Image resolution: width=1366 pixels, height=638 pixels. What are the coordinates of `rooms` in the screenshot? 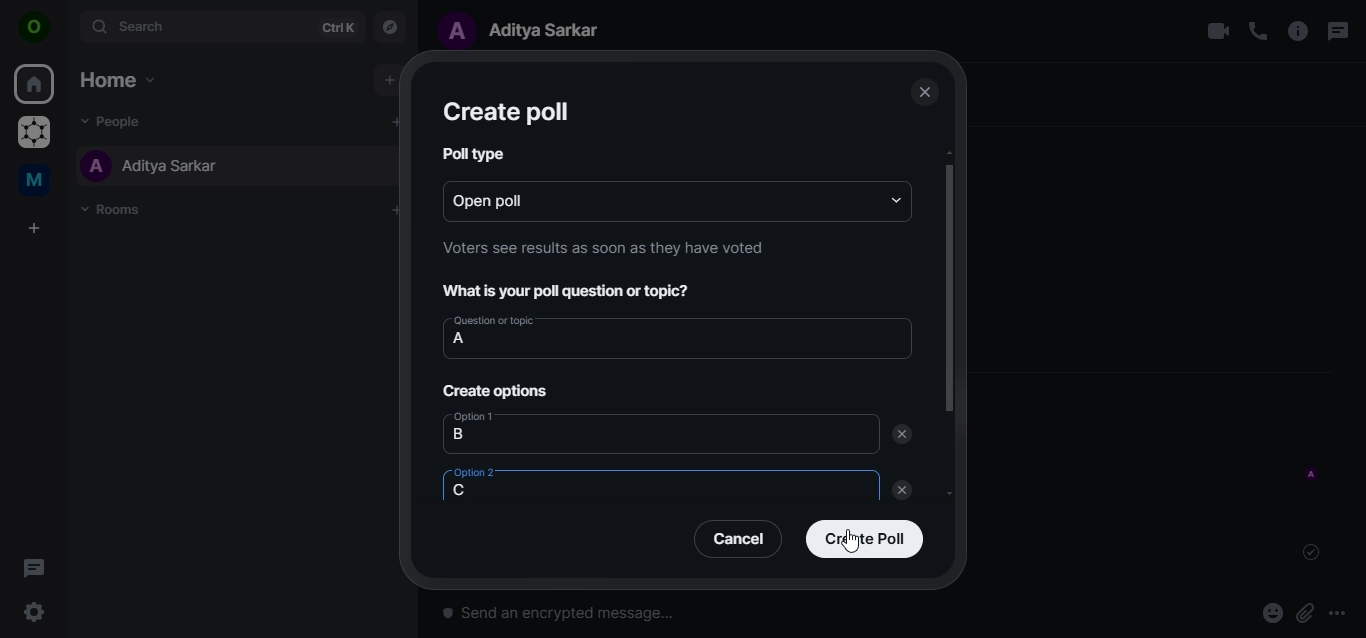 It's located at (117, 210).